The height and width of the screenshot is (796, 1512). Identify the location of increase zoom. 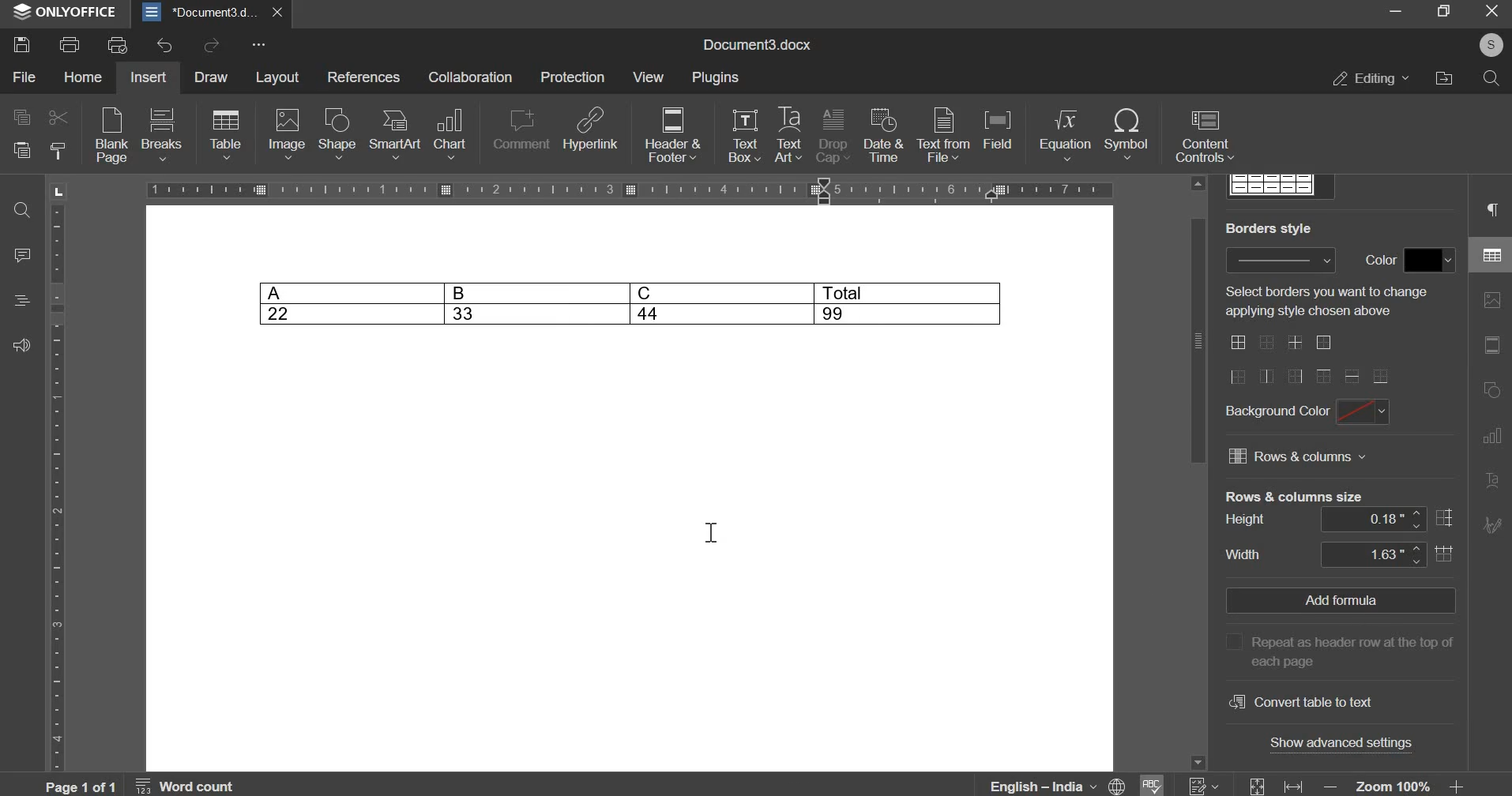
(1456, 785).